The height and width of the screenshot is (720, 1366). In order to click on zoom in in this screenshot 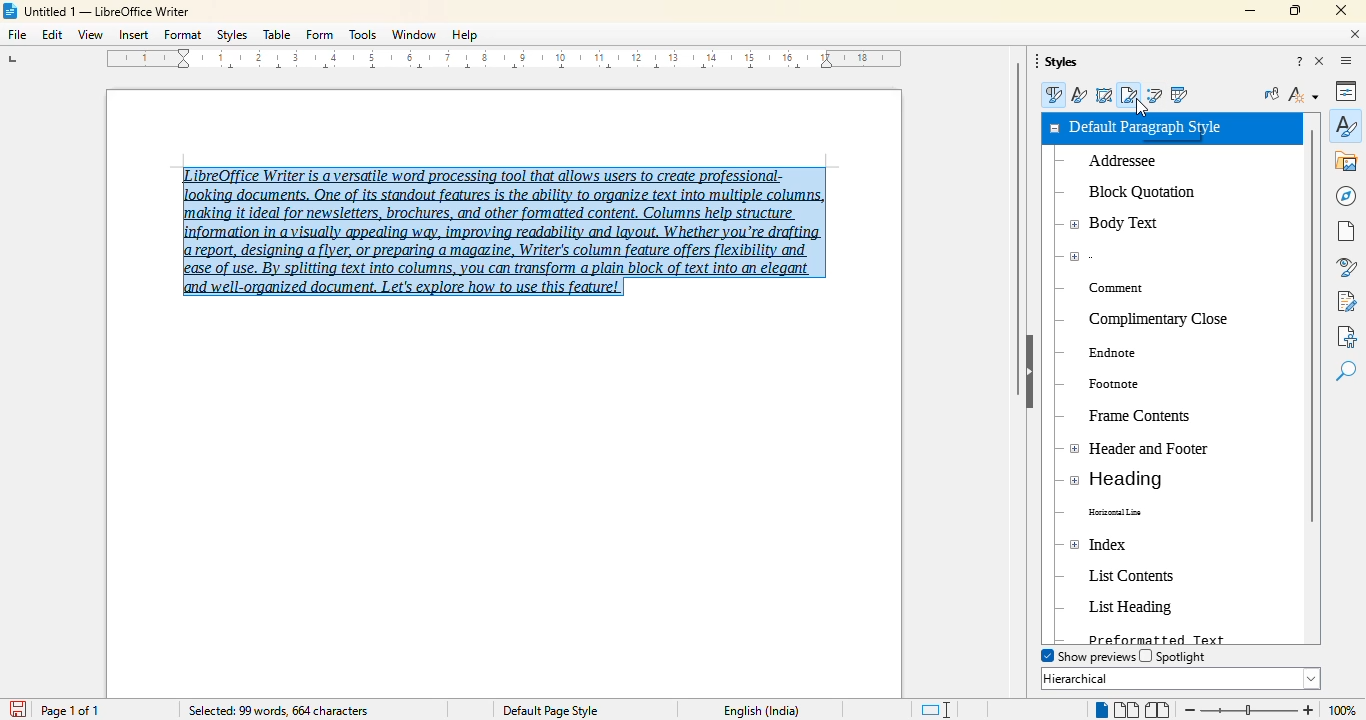, I will do `click(1307, 710)`.